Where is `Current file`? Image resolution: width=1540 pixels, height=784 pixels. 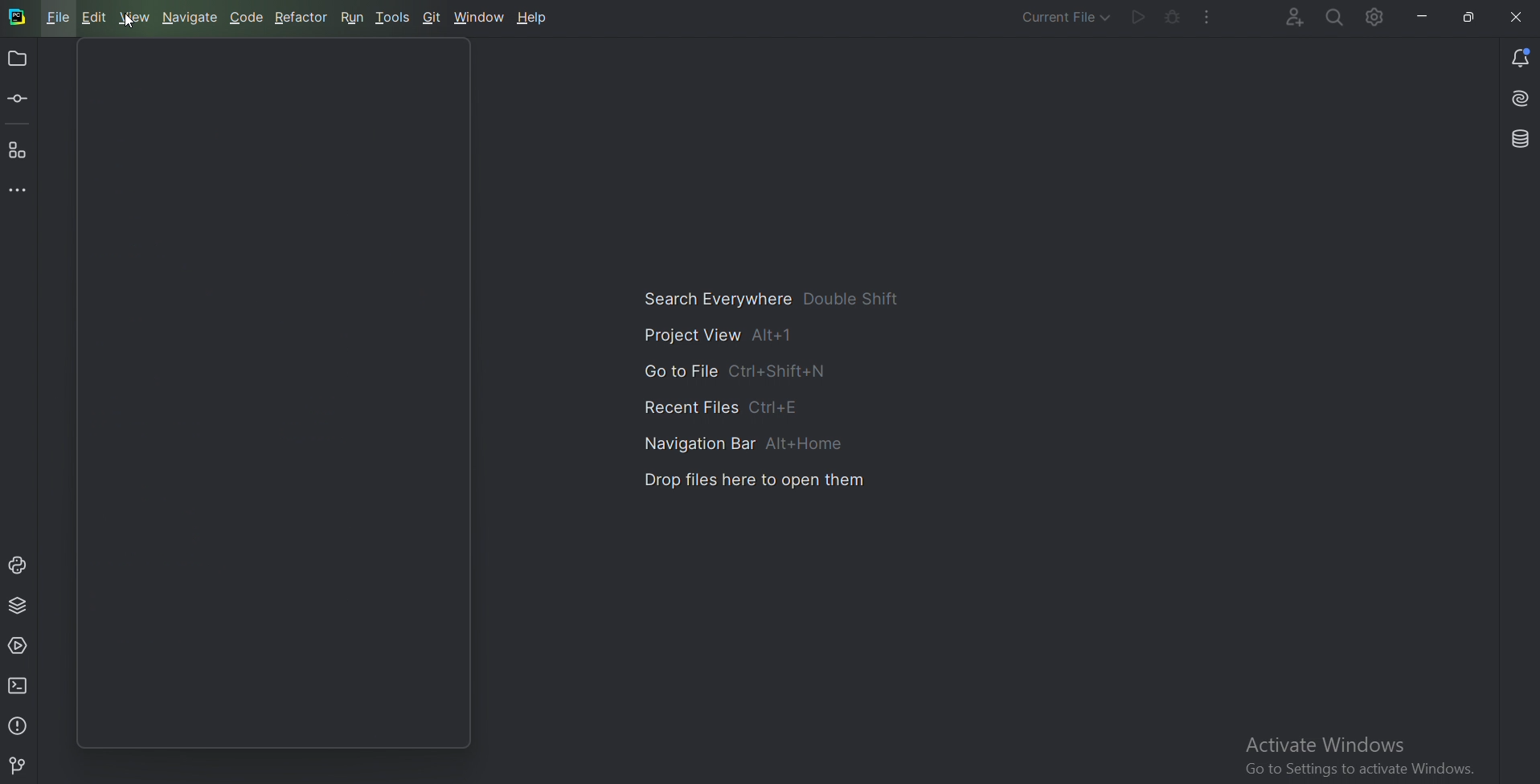 Current file is located at coordinates (1054, 18).